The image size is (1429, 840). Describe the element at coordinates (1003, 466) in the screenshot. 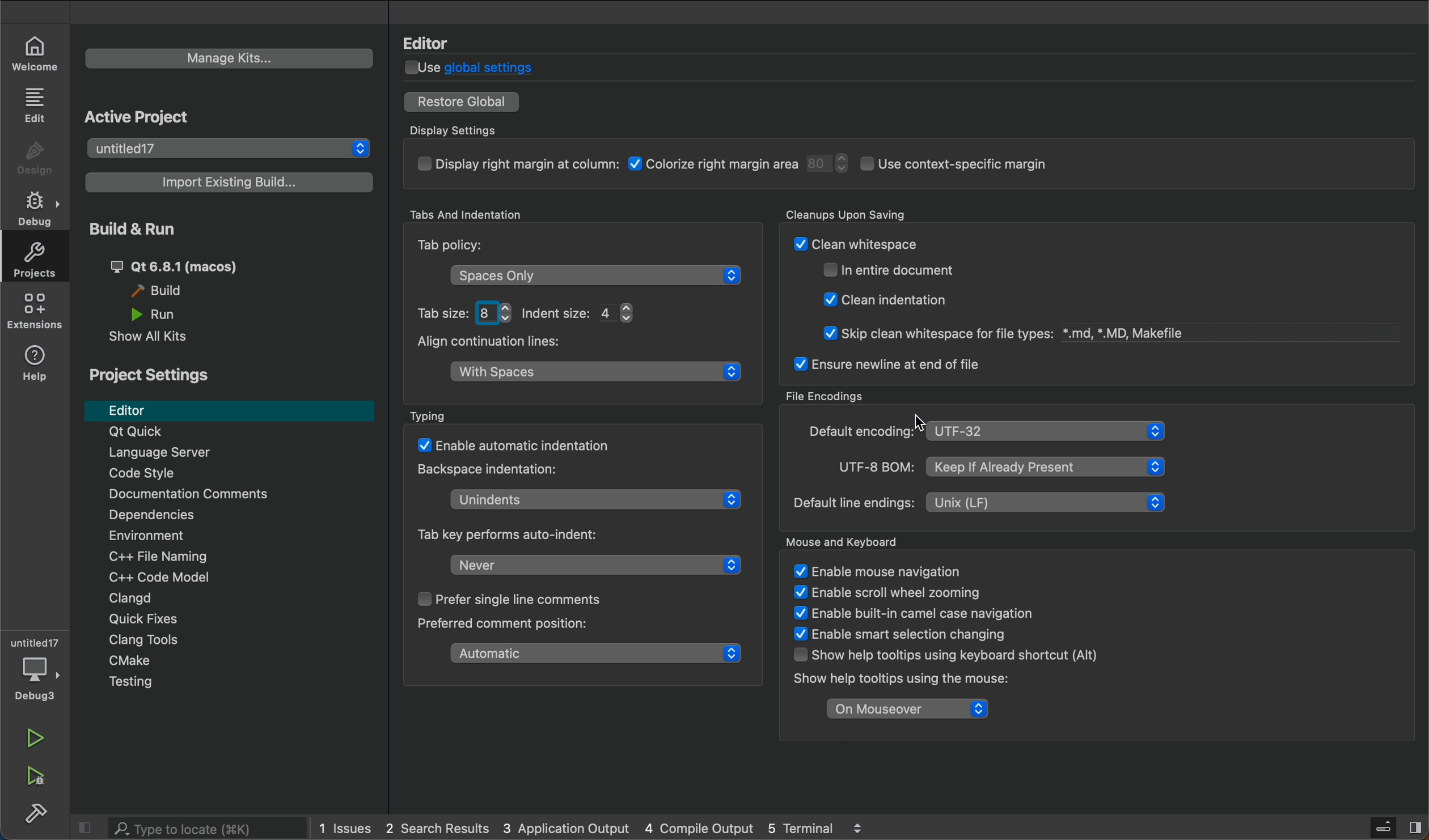

I see `UTF-8 BOM` at that location.